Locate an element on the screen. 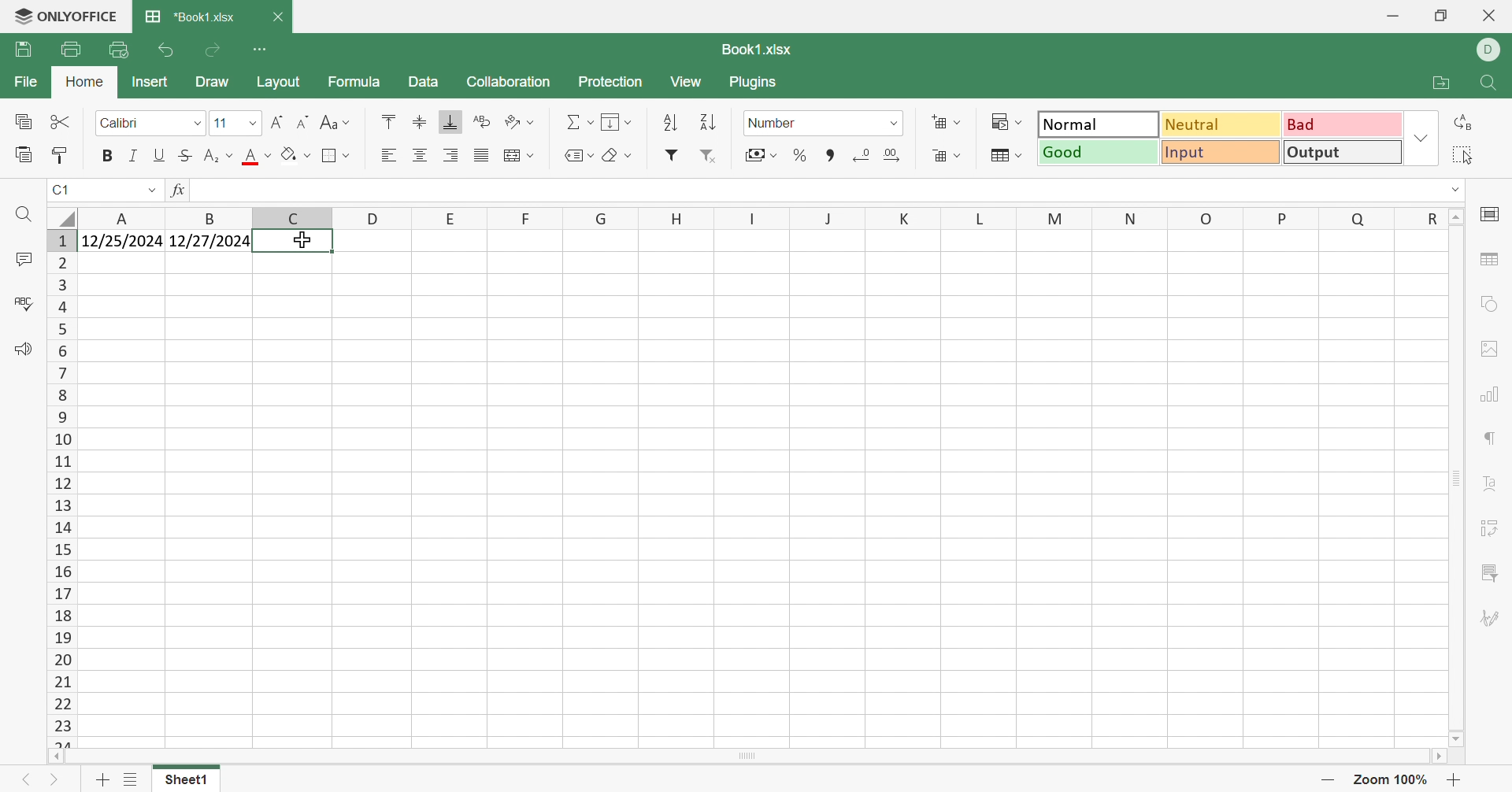  ONLYOFFICE is located at coordinates (62, 19).